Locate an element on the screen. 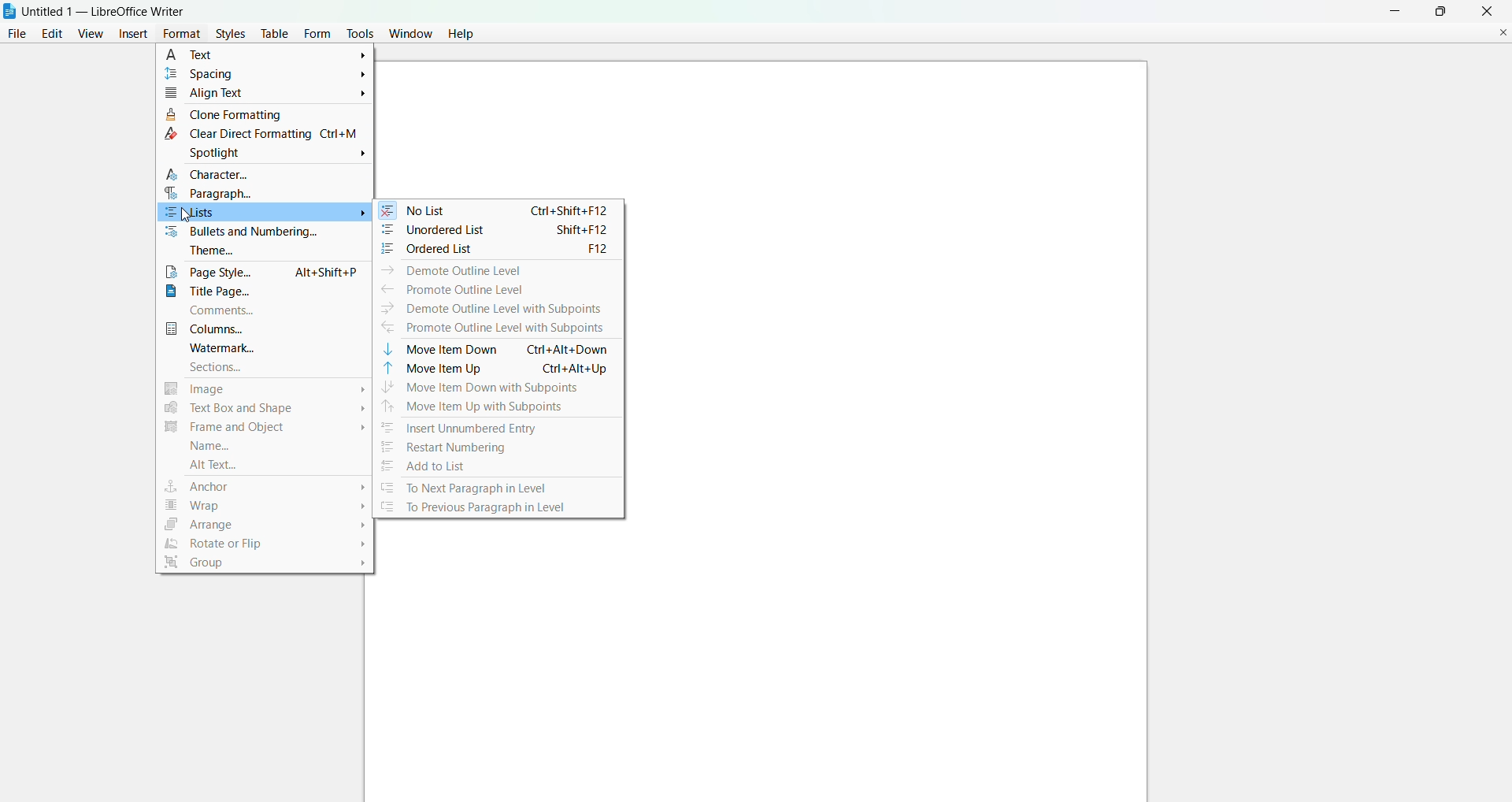  table is located at coordinates (276, 28).